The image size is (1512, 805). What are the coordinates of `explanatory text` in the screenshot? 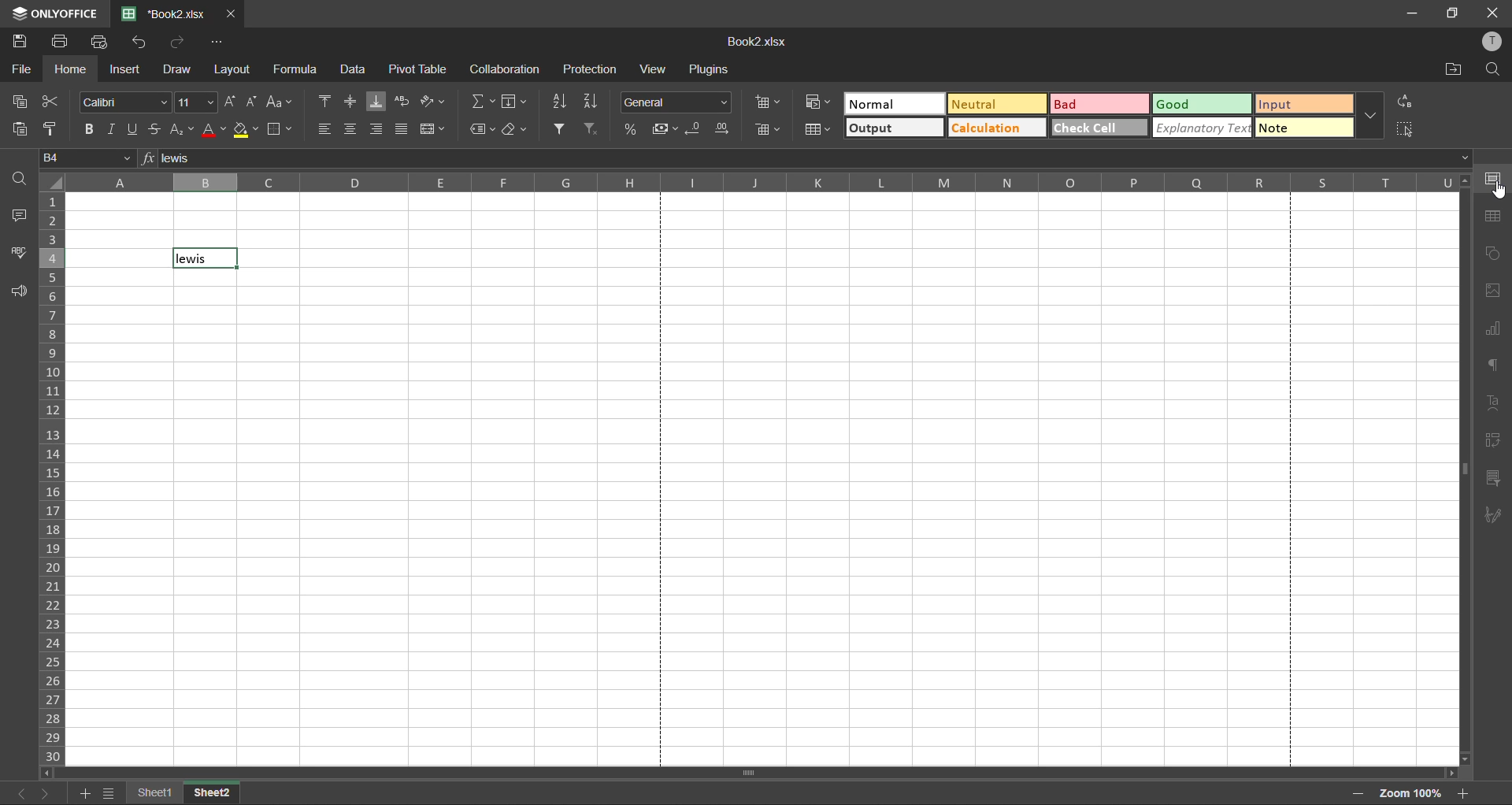 It's located at (1201, 128).